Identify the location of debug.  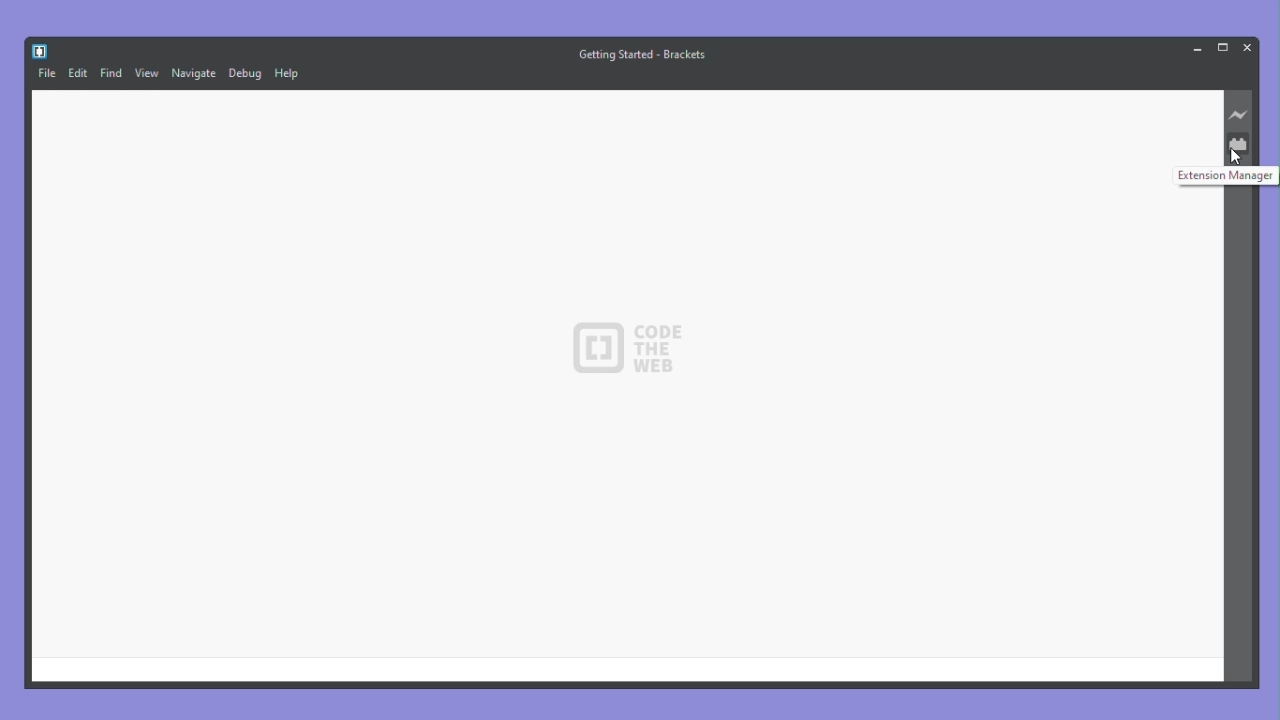
(245, 74).